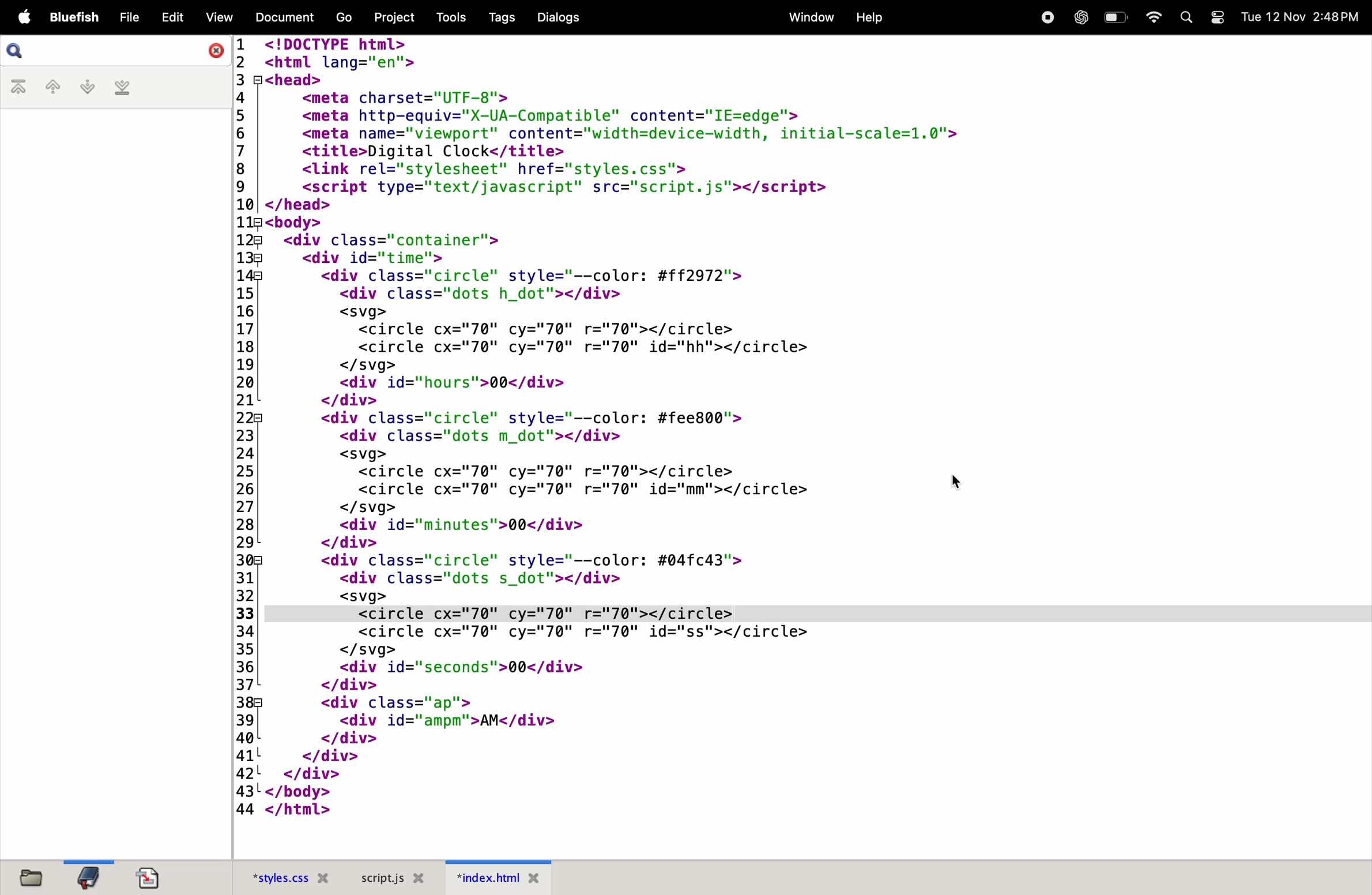 The height and width of the screenshot is (895, 1372). I want to click on chatgpt, so click(1079, 17).